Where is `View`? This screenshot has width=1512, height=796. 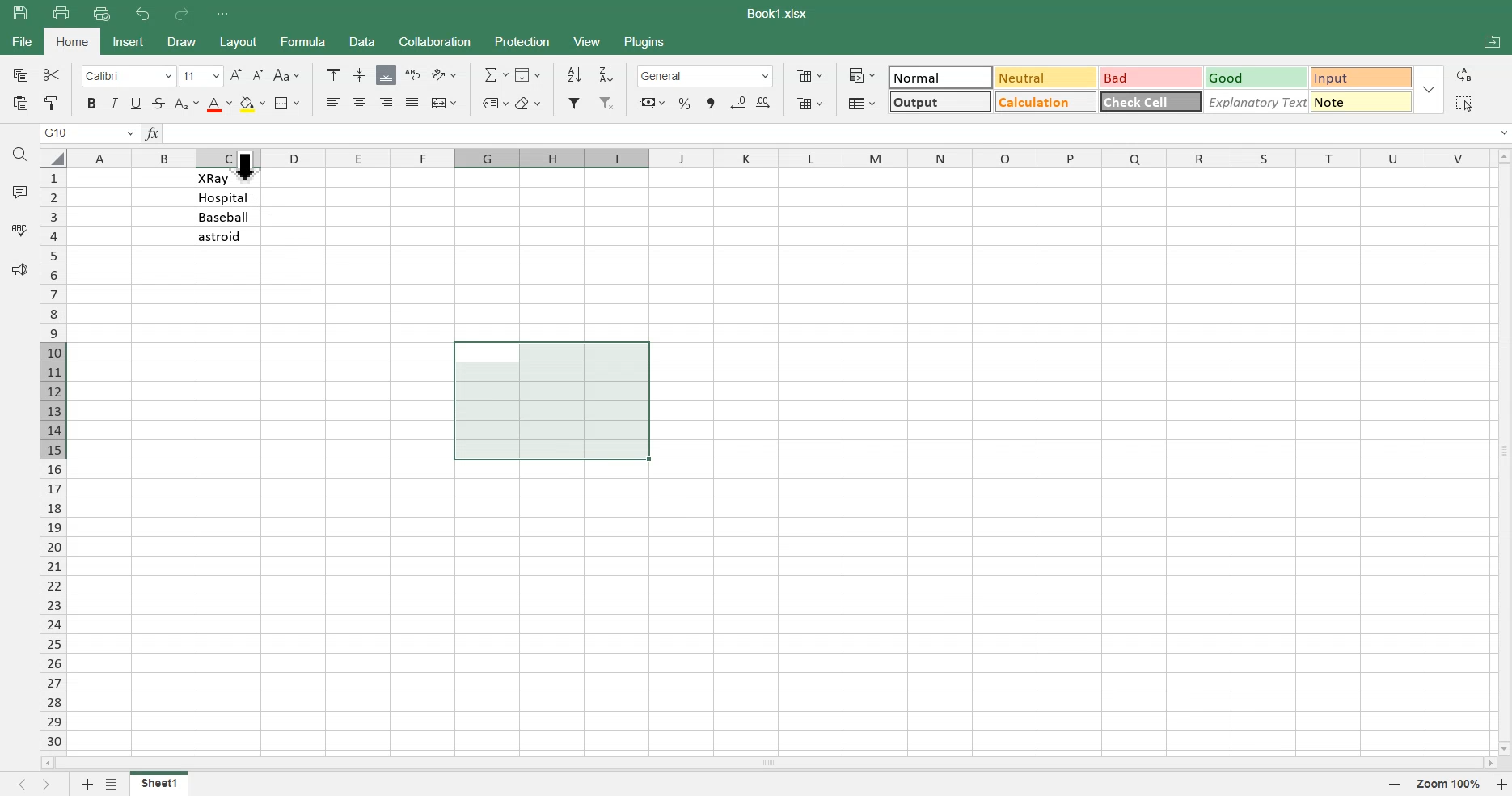 View is located at coordinates (588, 40).